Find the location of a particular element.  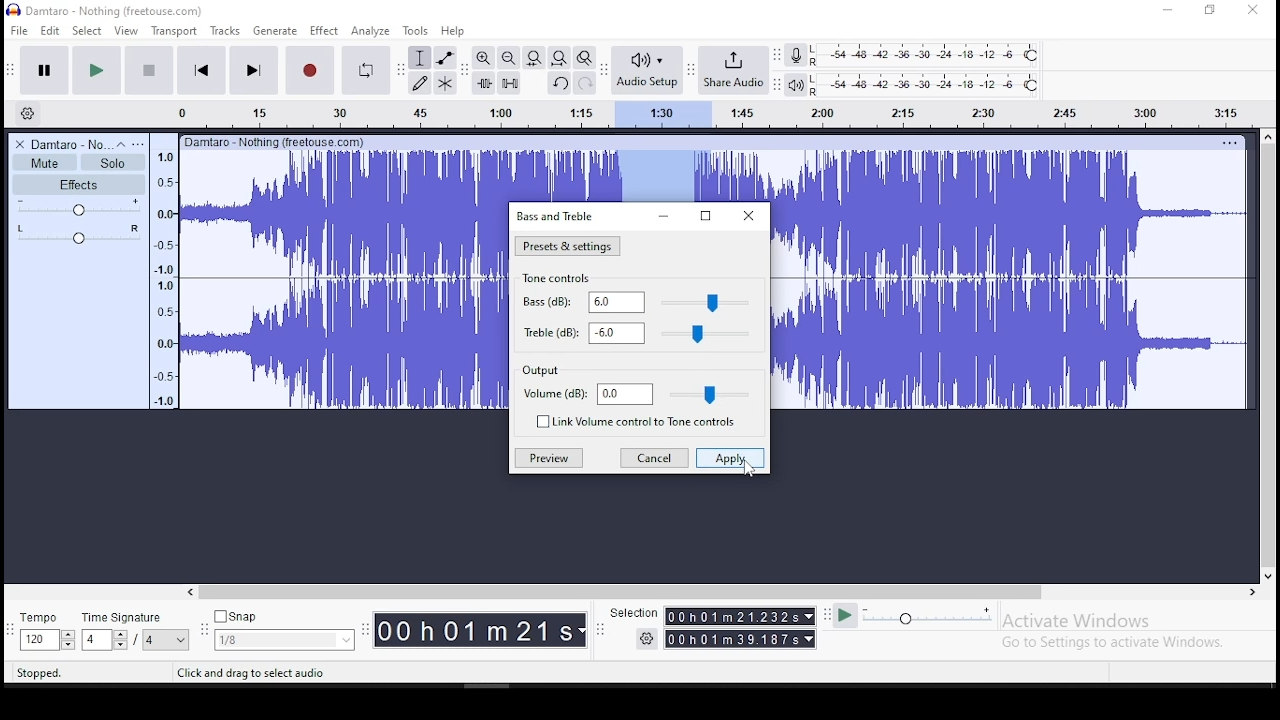

close is located at coordinates (750, 216).